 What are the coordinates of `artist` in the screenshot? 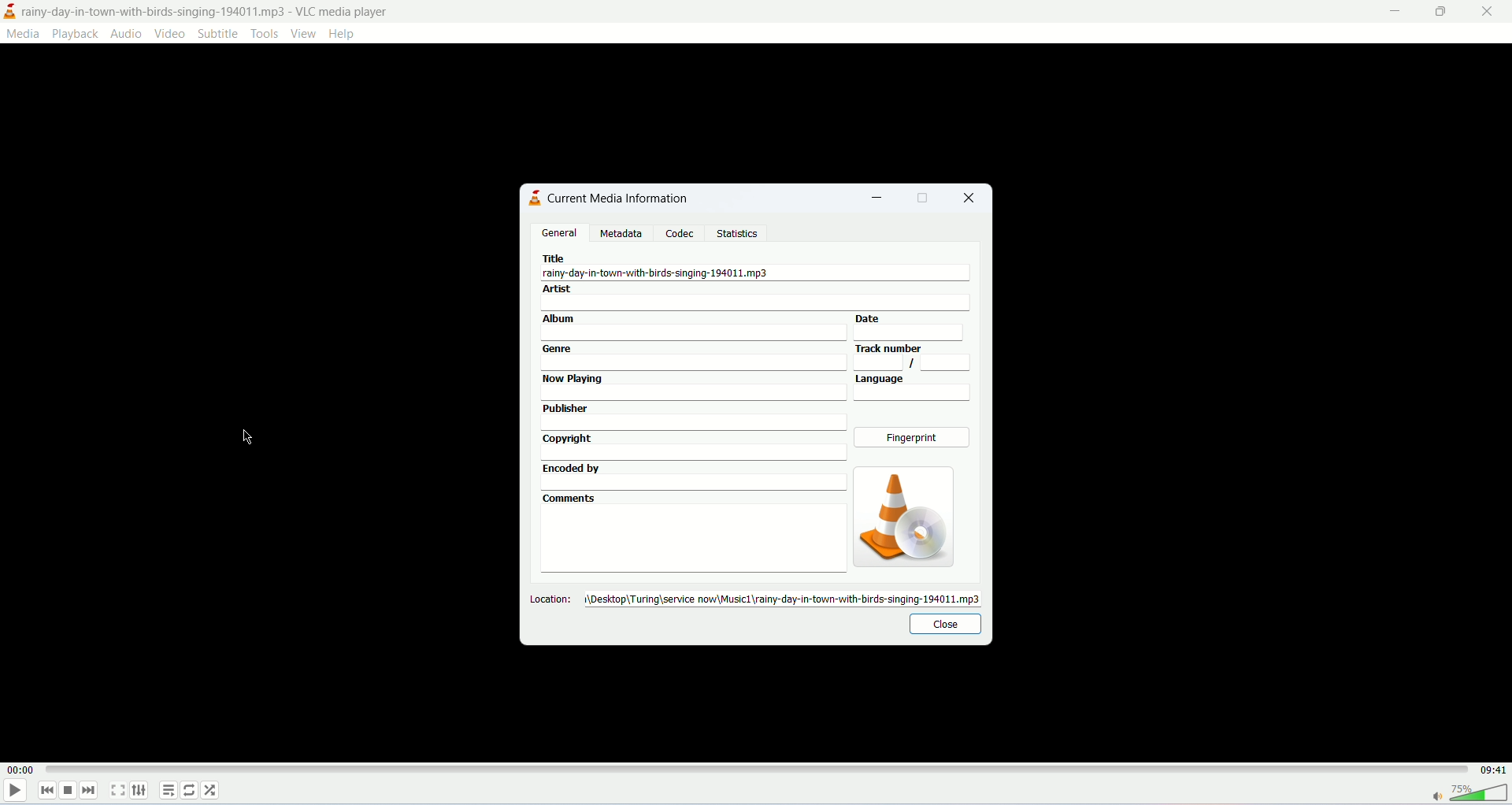 It's located at (758, 296).